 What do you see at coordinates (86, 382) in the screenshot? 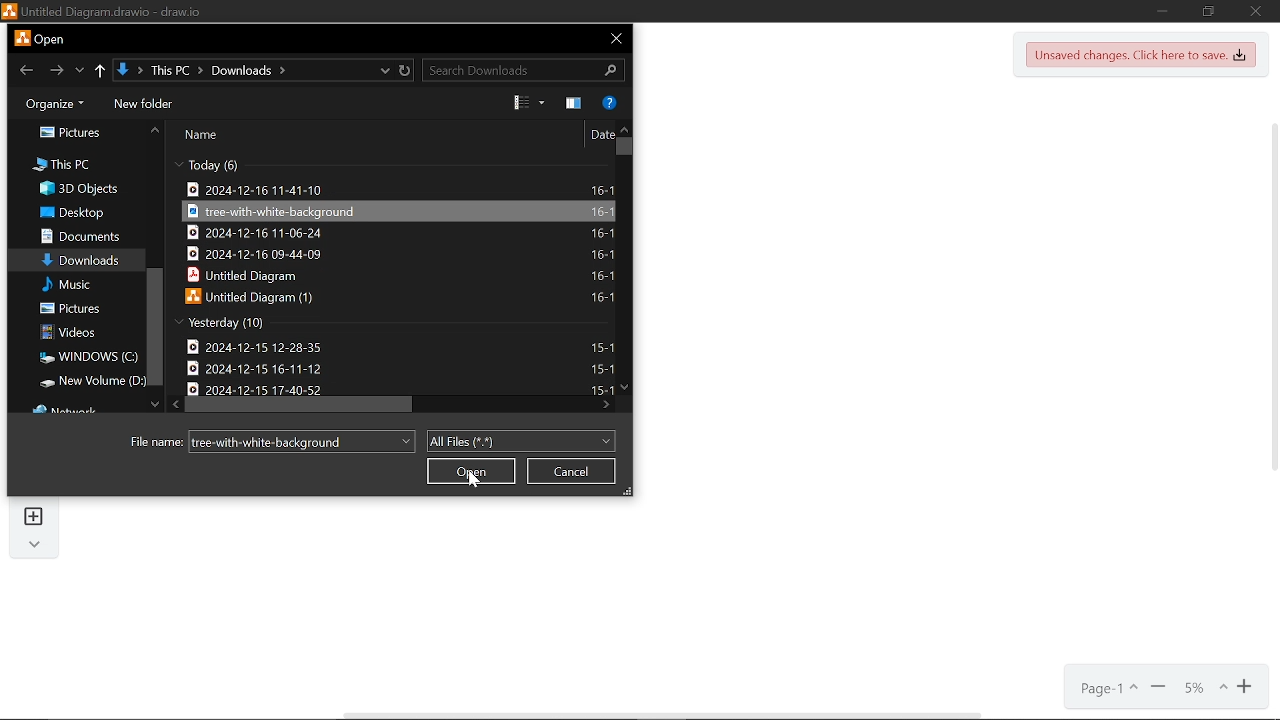
I see `new volume` at bounding box center [86, 382].